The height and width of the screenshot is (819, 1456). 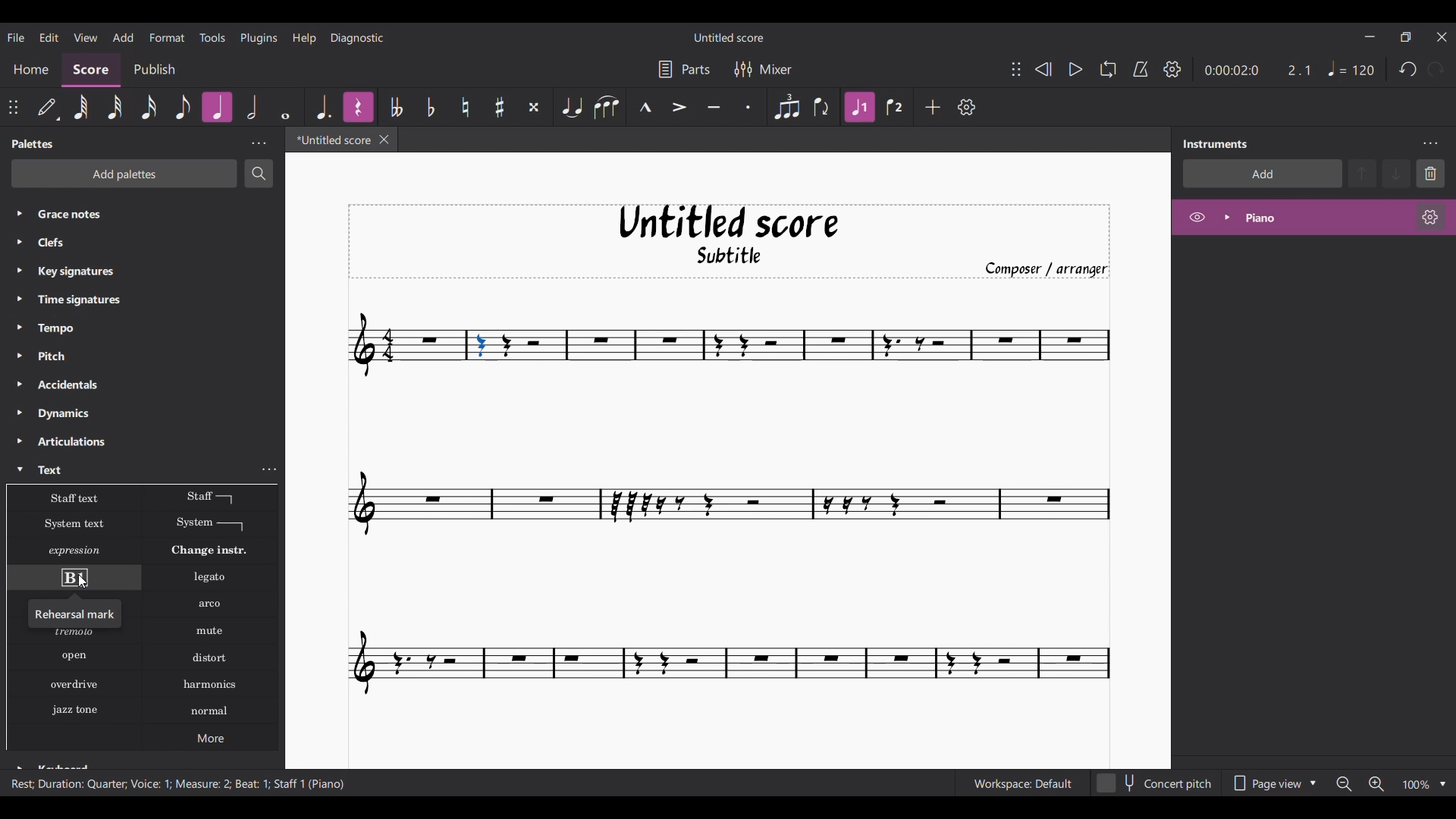 I want to click on Collapse Text palette, so click(x=20, y=469).